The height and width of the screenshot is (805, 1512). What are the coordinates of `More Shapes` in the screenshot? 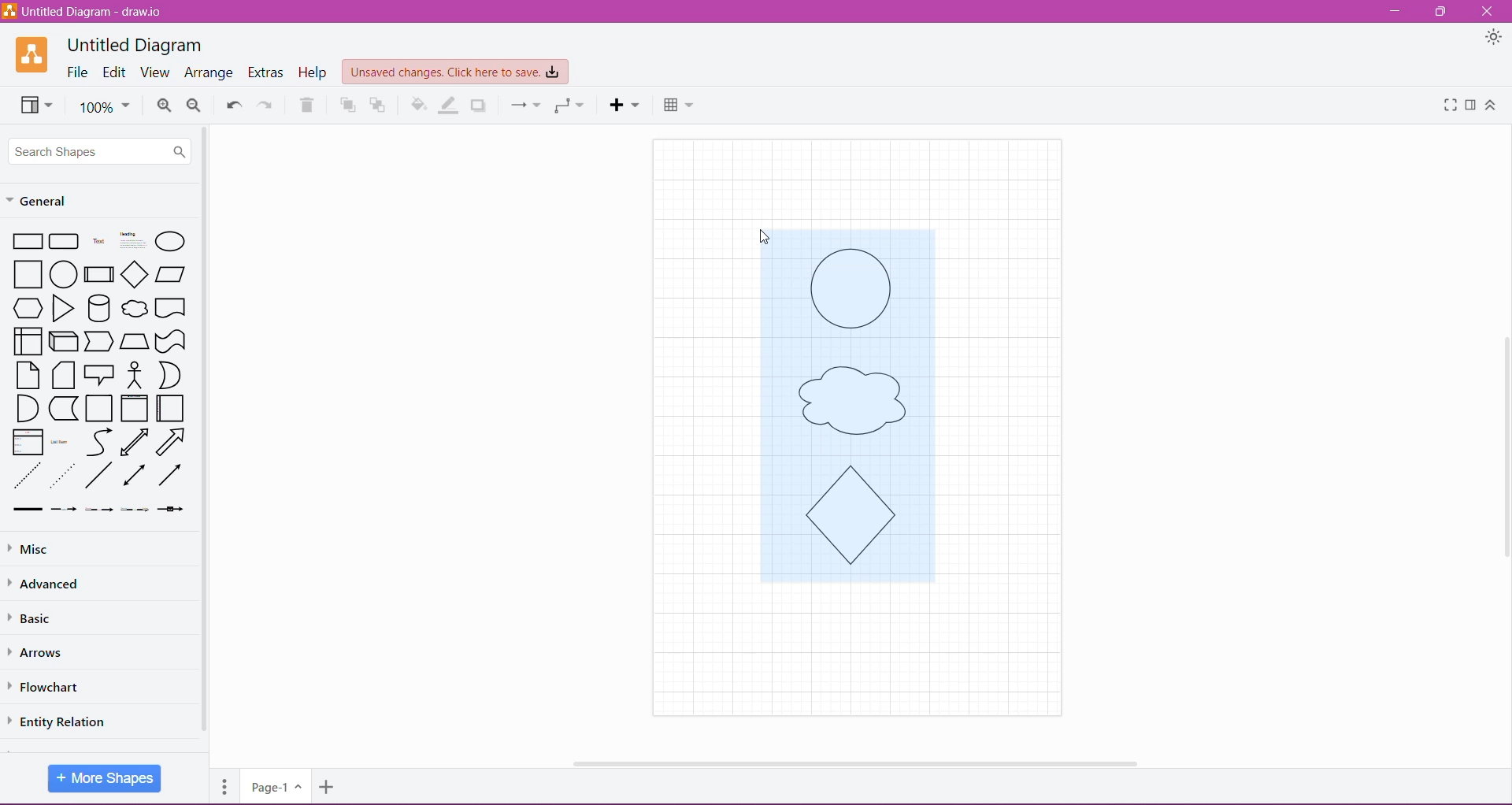 It's located at (105, 778).